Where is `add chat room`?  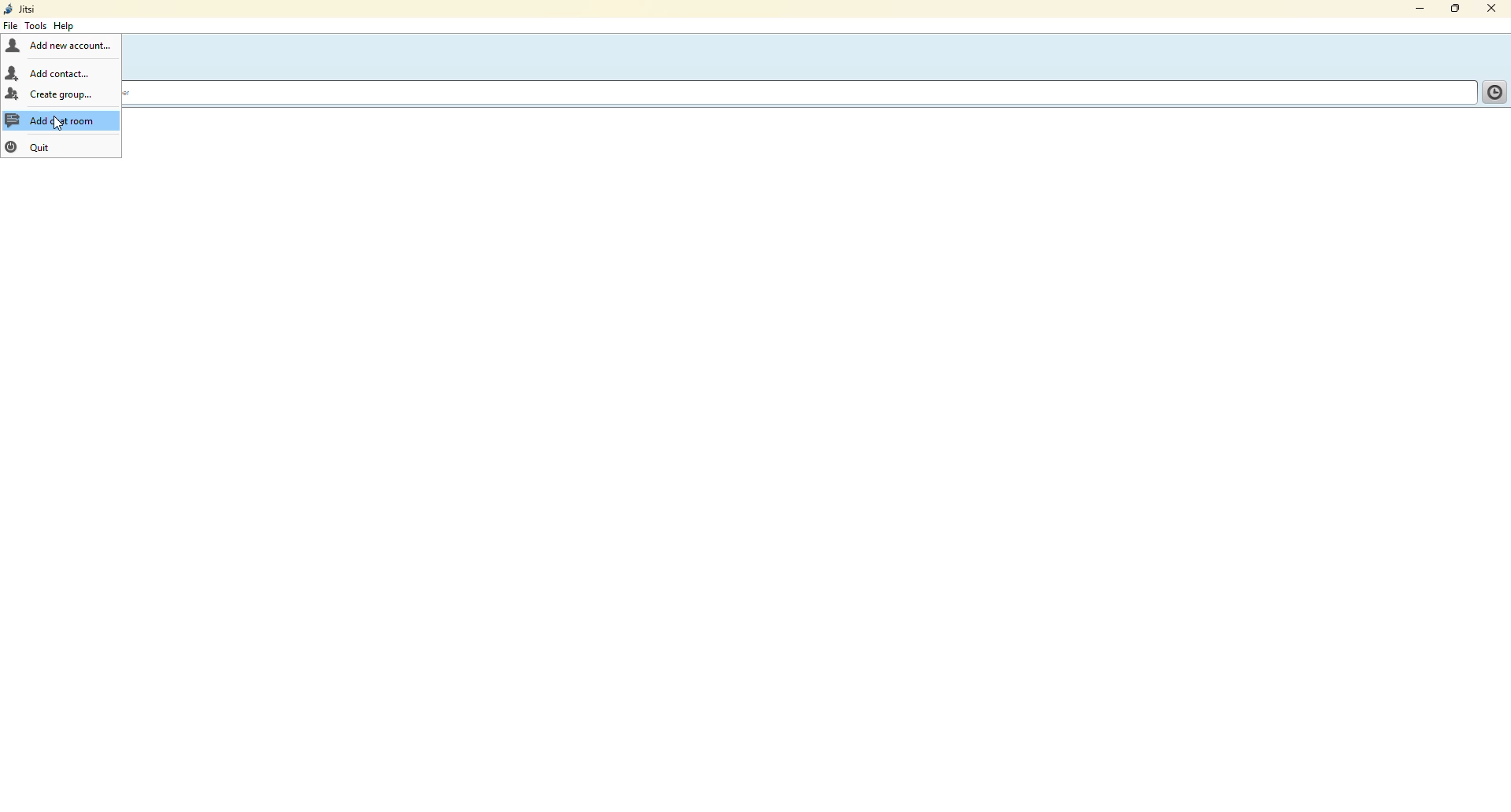
add chat room is located at coordinates (57, 120).